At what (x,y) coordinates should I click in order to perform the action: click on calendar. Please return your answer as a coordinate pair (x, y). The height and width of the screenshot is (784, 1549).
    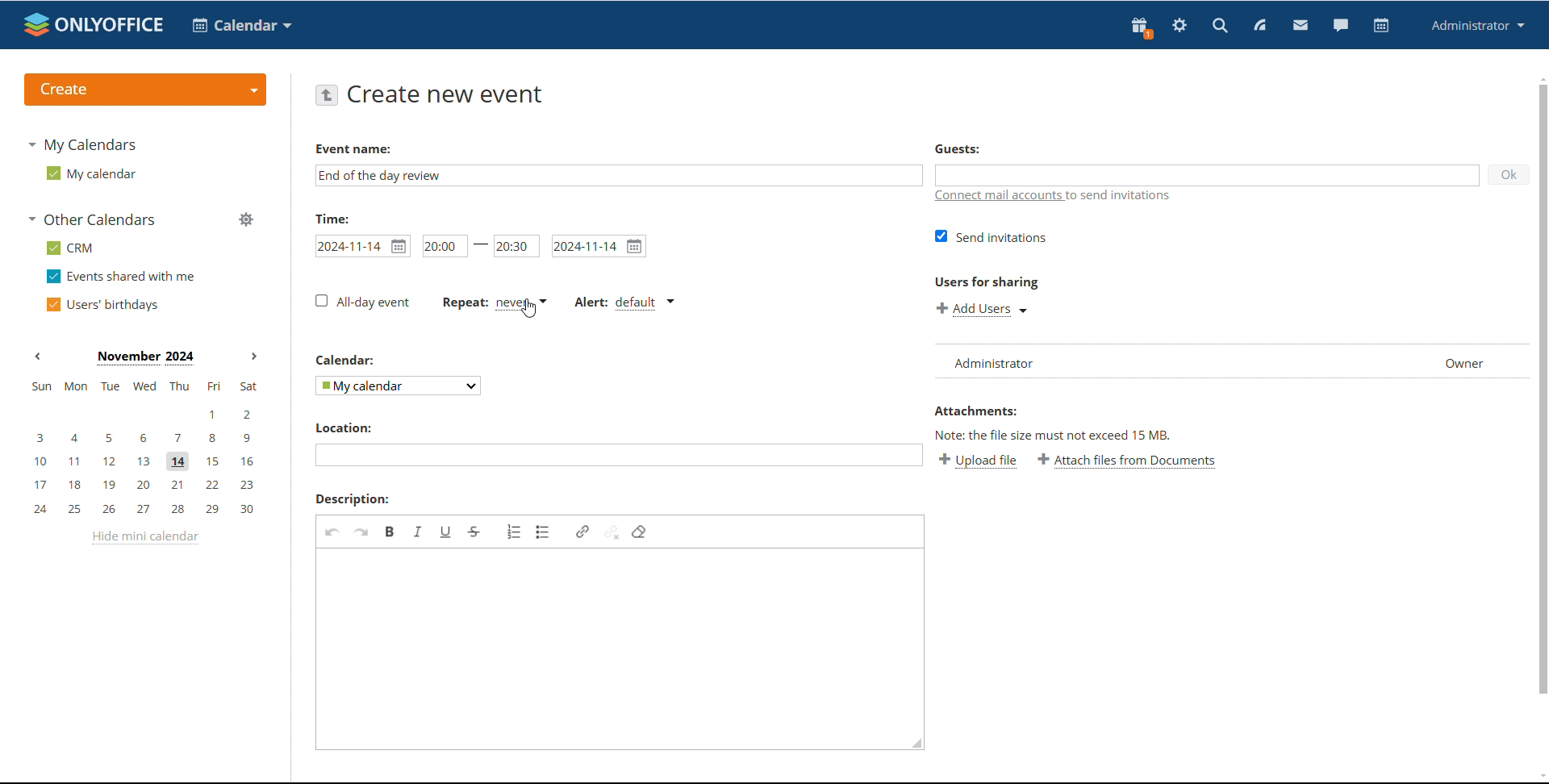
    Looking at the image, I should click on (347, 360).